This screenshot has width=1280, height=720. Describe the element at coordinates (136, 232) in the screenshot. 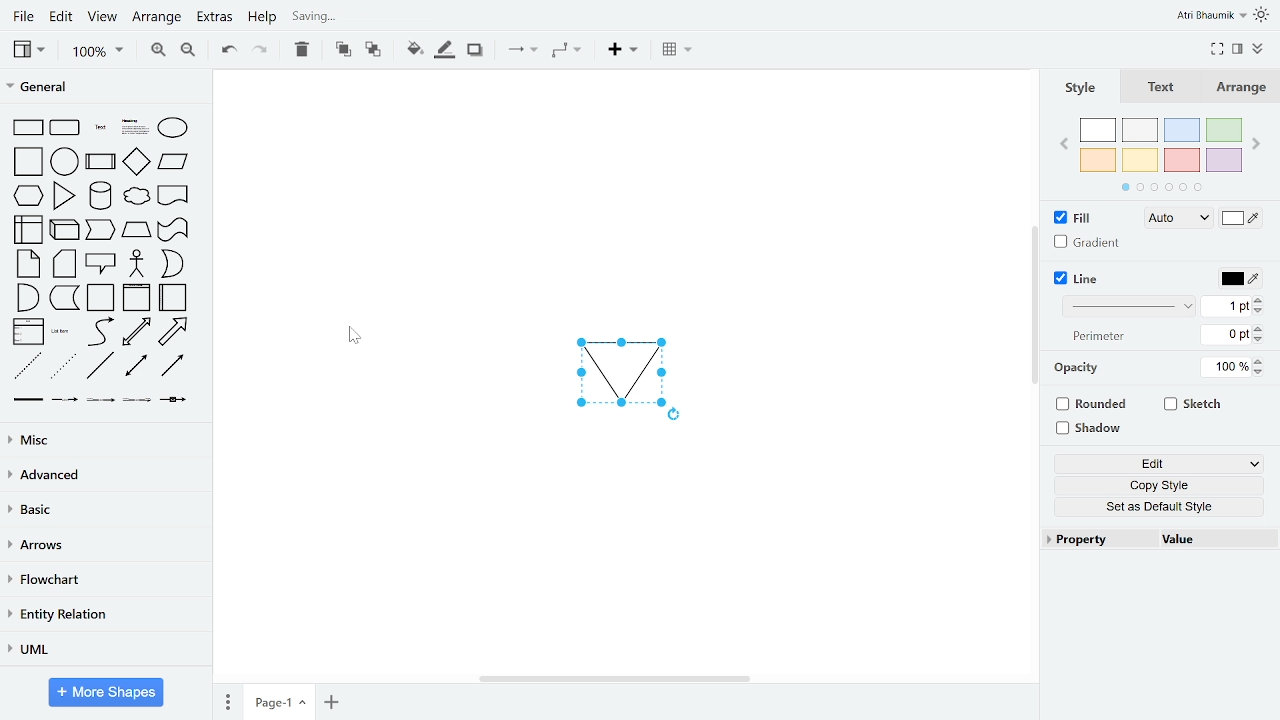

I see `trapezoid` at that location.